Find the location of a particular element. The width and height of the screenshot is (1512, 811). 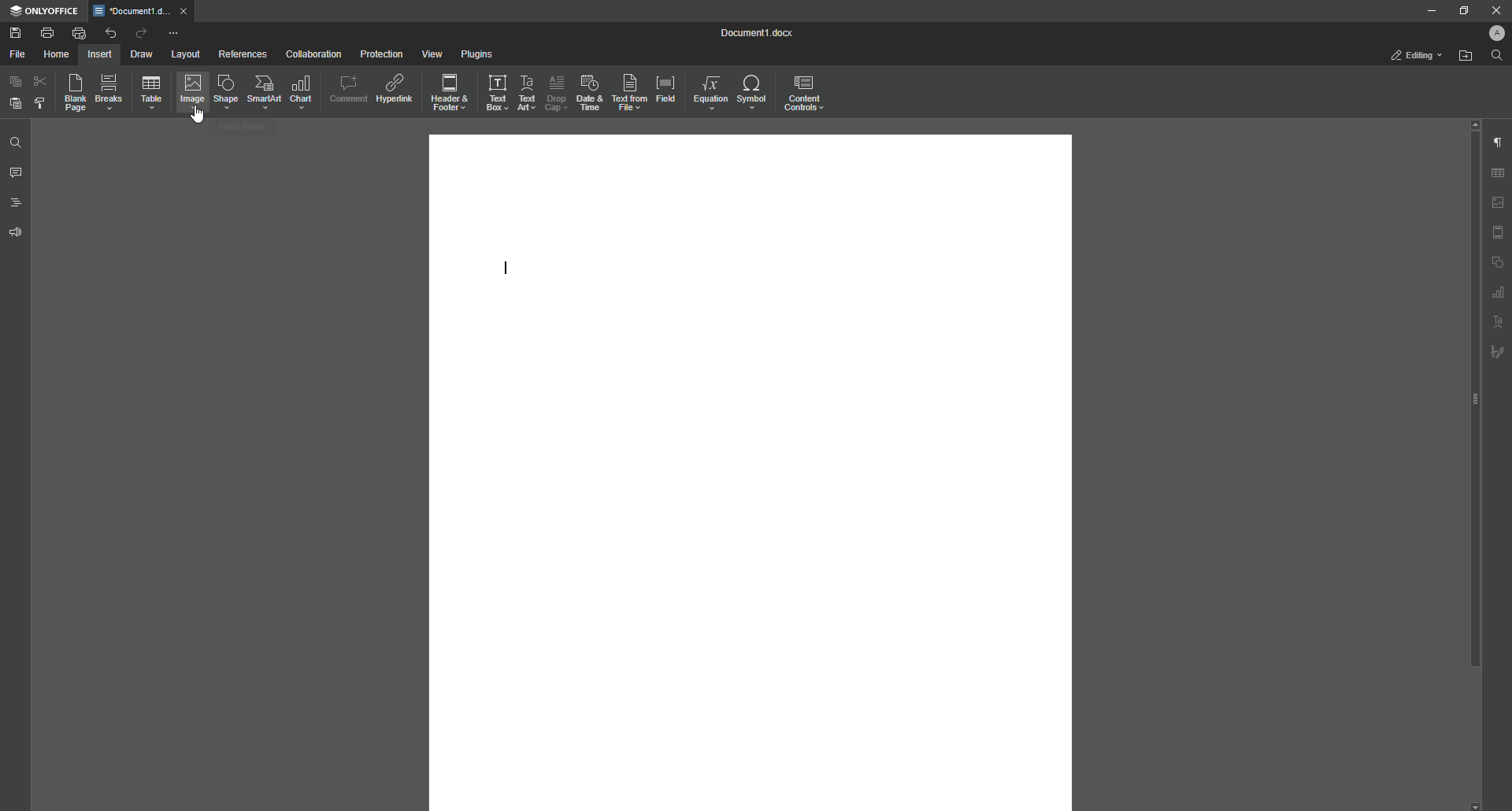

Shape is located at coordinates (224, 94).